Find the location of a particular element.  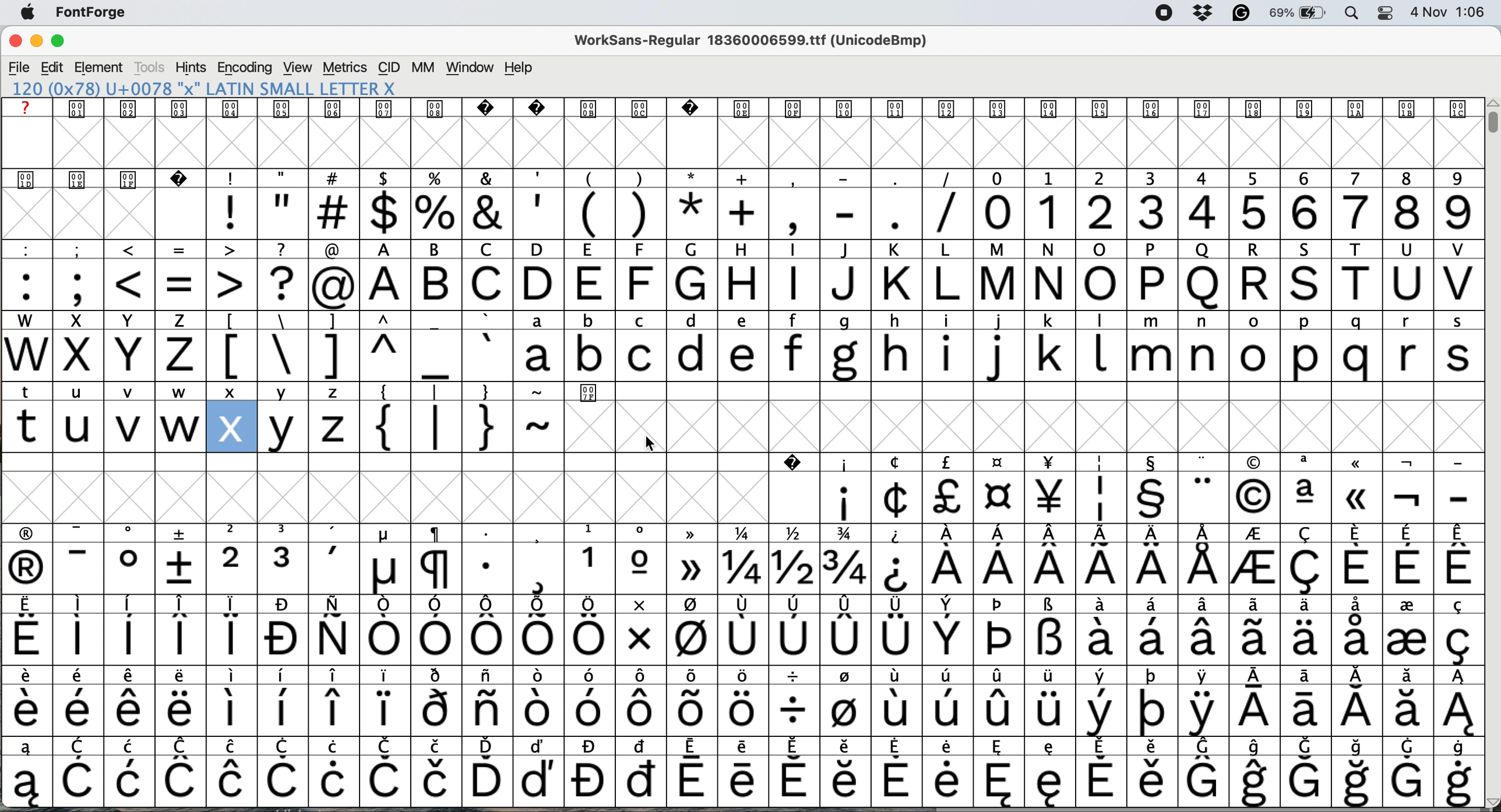

special characters is located at coordinates (383, 641).